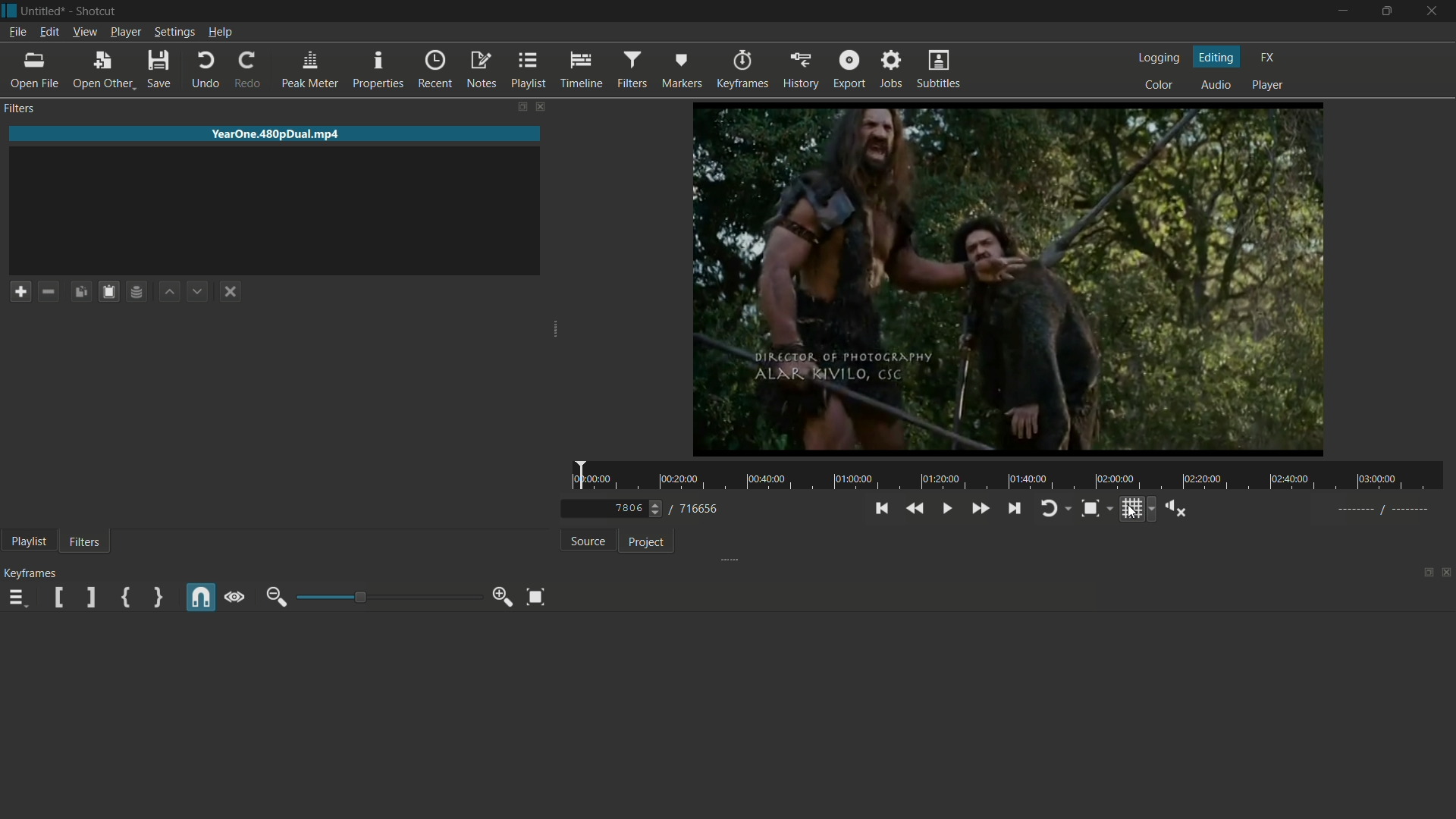  I want to click on playlist, so click(31, 541).